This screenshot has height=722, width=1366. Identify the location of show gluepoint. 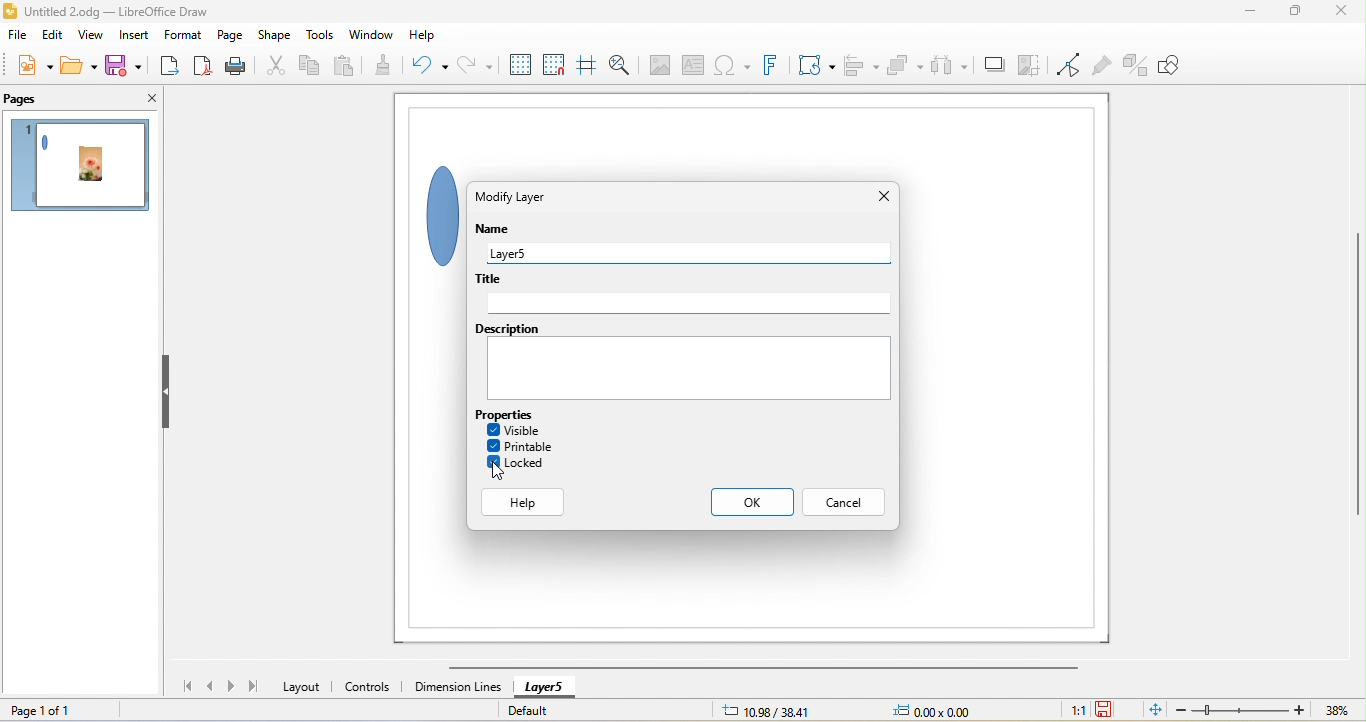
(1103, 66).